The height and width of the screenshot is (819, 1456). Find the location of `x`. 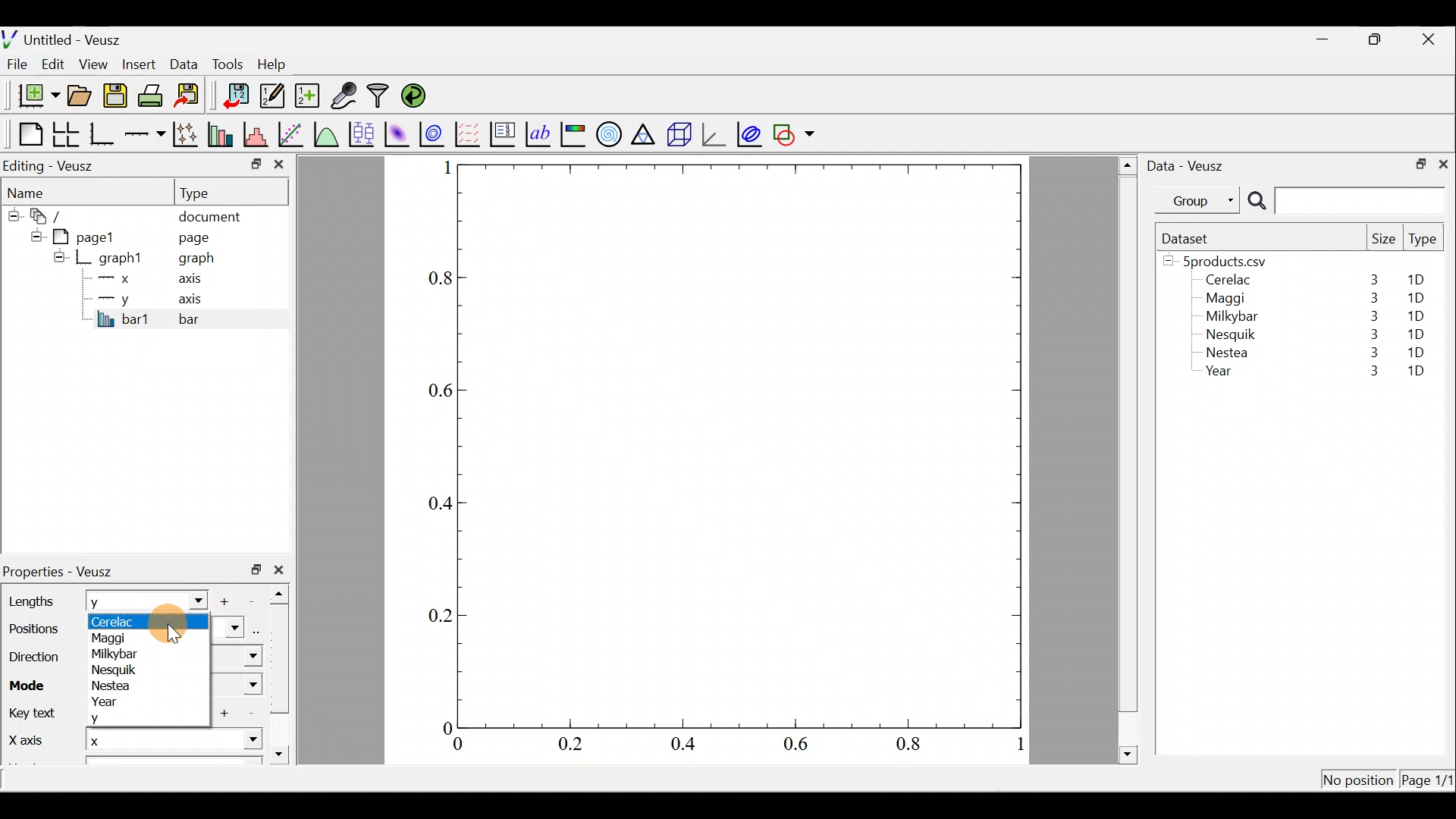

x is located at coordinates (126, 742).